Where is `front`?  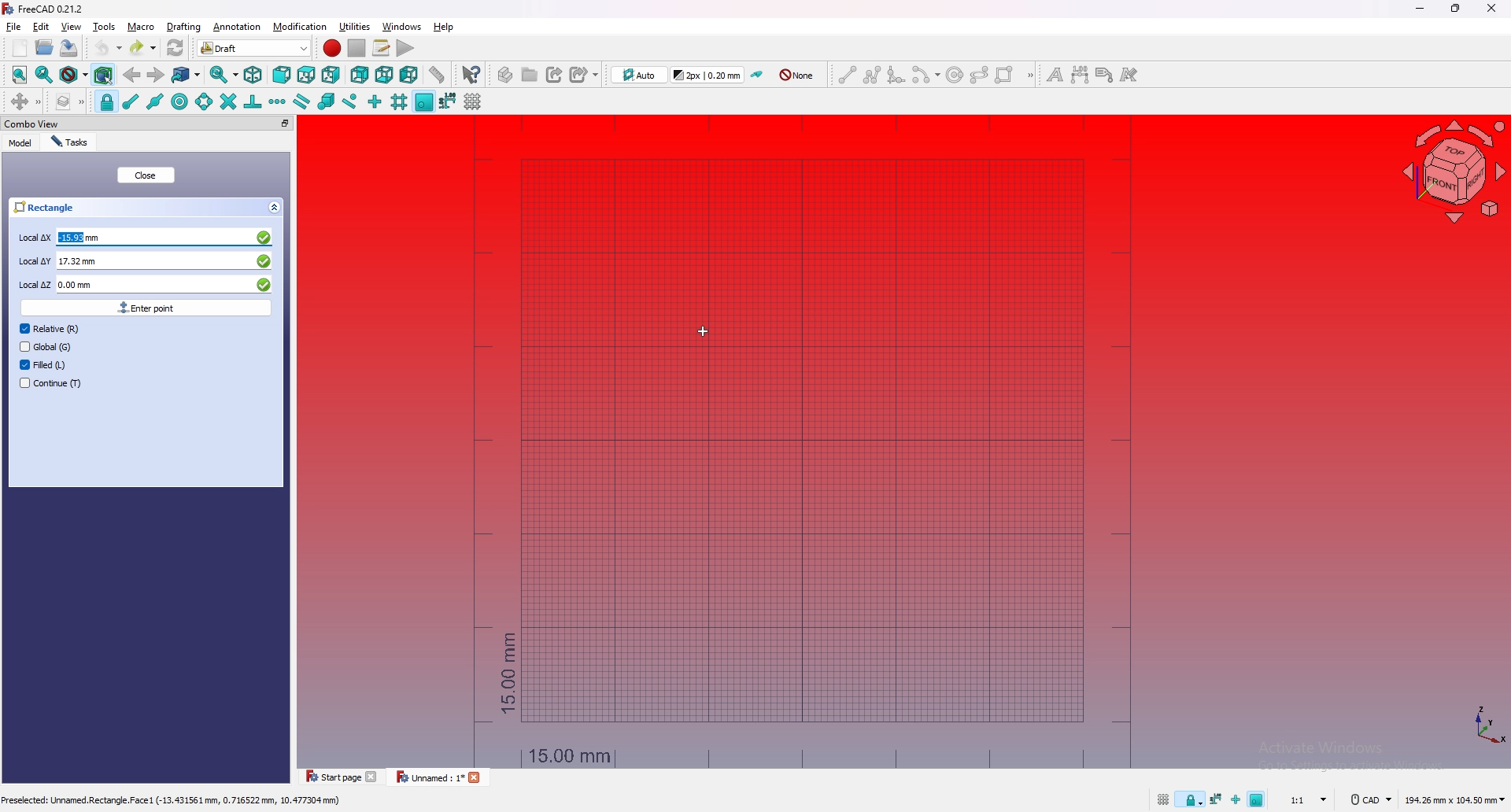
front is located at coordinates (282, 75).